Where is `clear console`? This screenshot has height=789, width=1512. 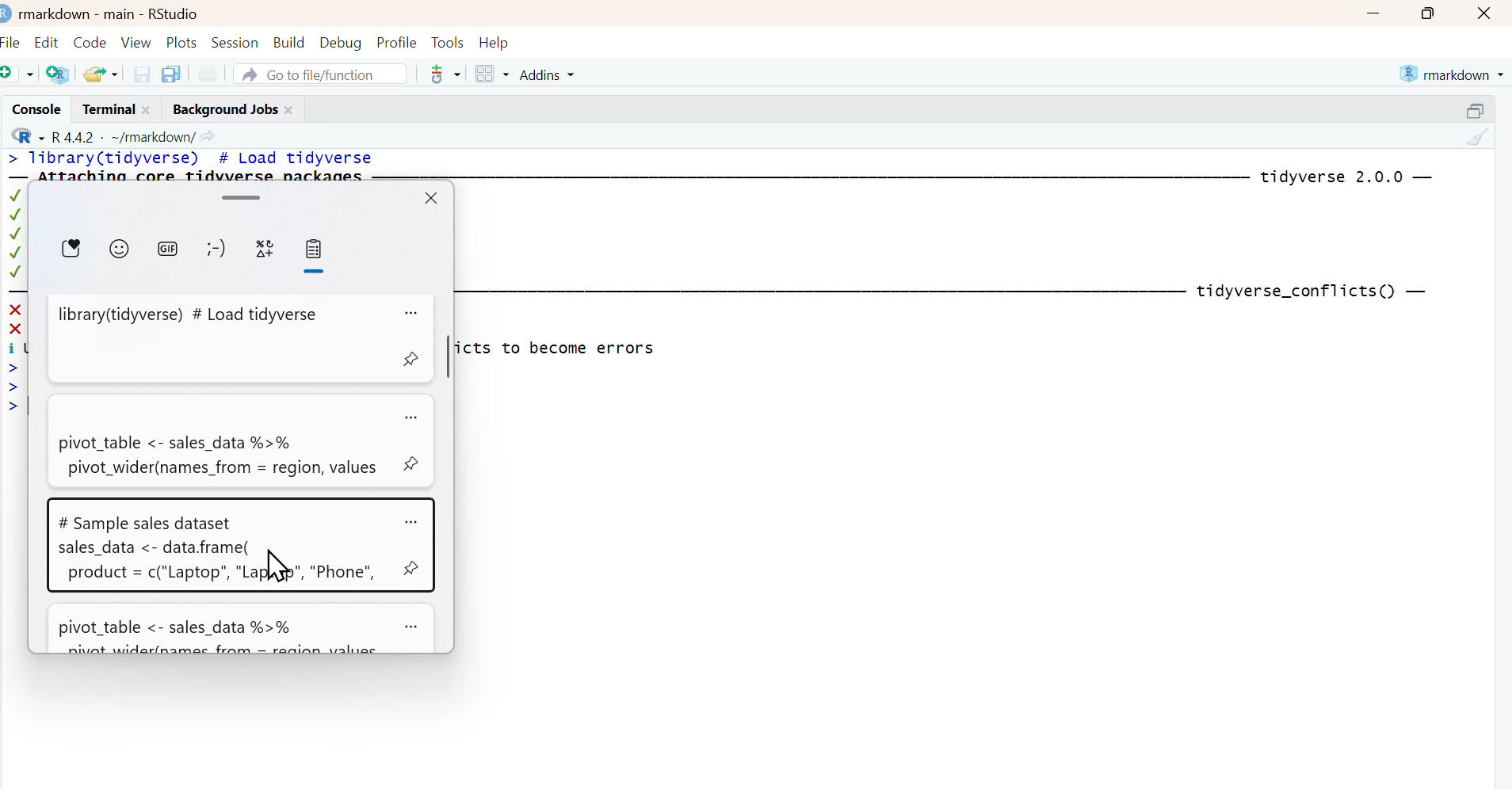
clear console is located at coordinates (1479, 137).